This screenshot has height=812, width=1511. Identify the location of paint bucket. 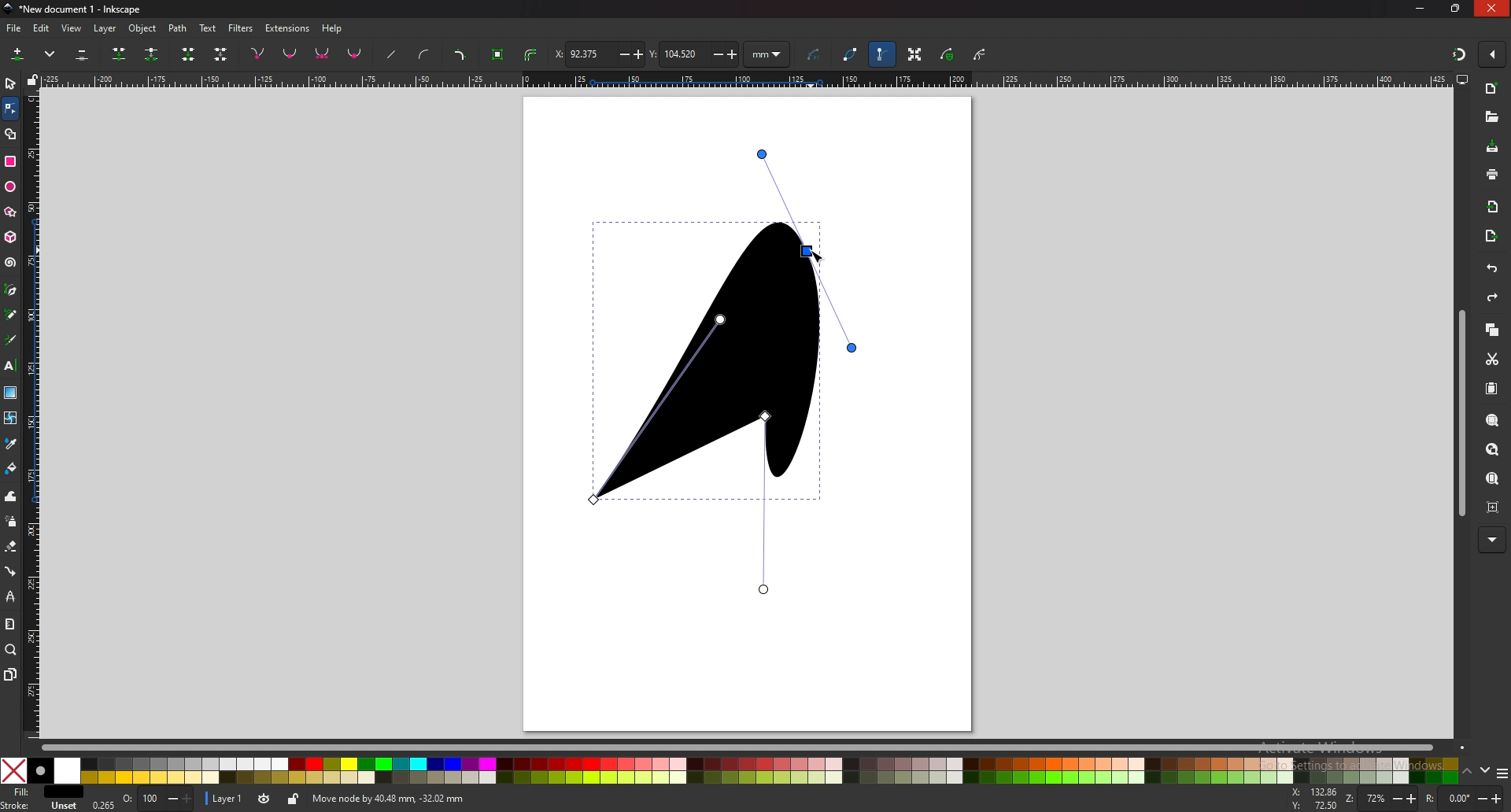
(10, 469).